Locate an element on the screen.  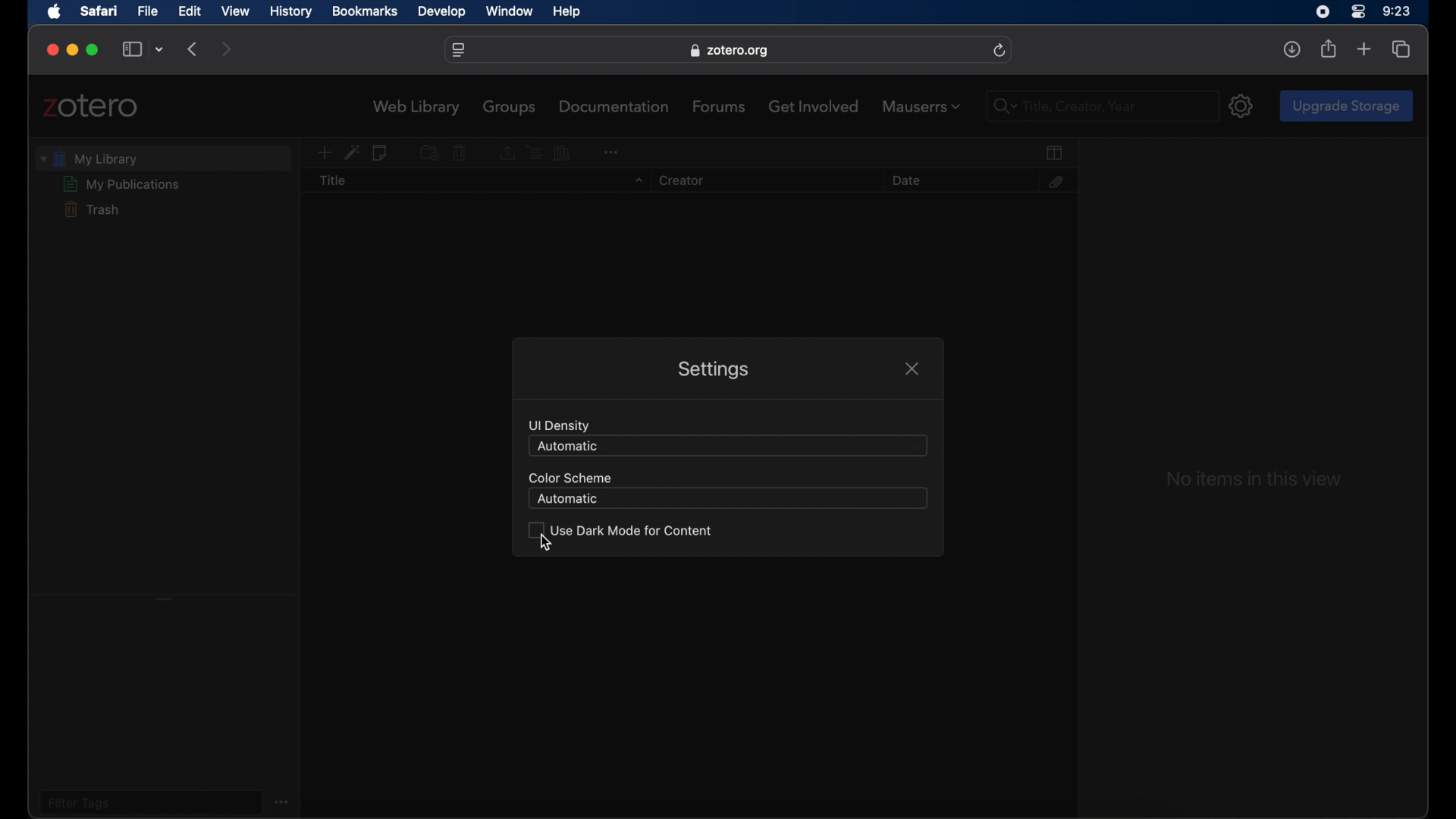
downloads is located at coordinates (1291, 49).